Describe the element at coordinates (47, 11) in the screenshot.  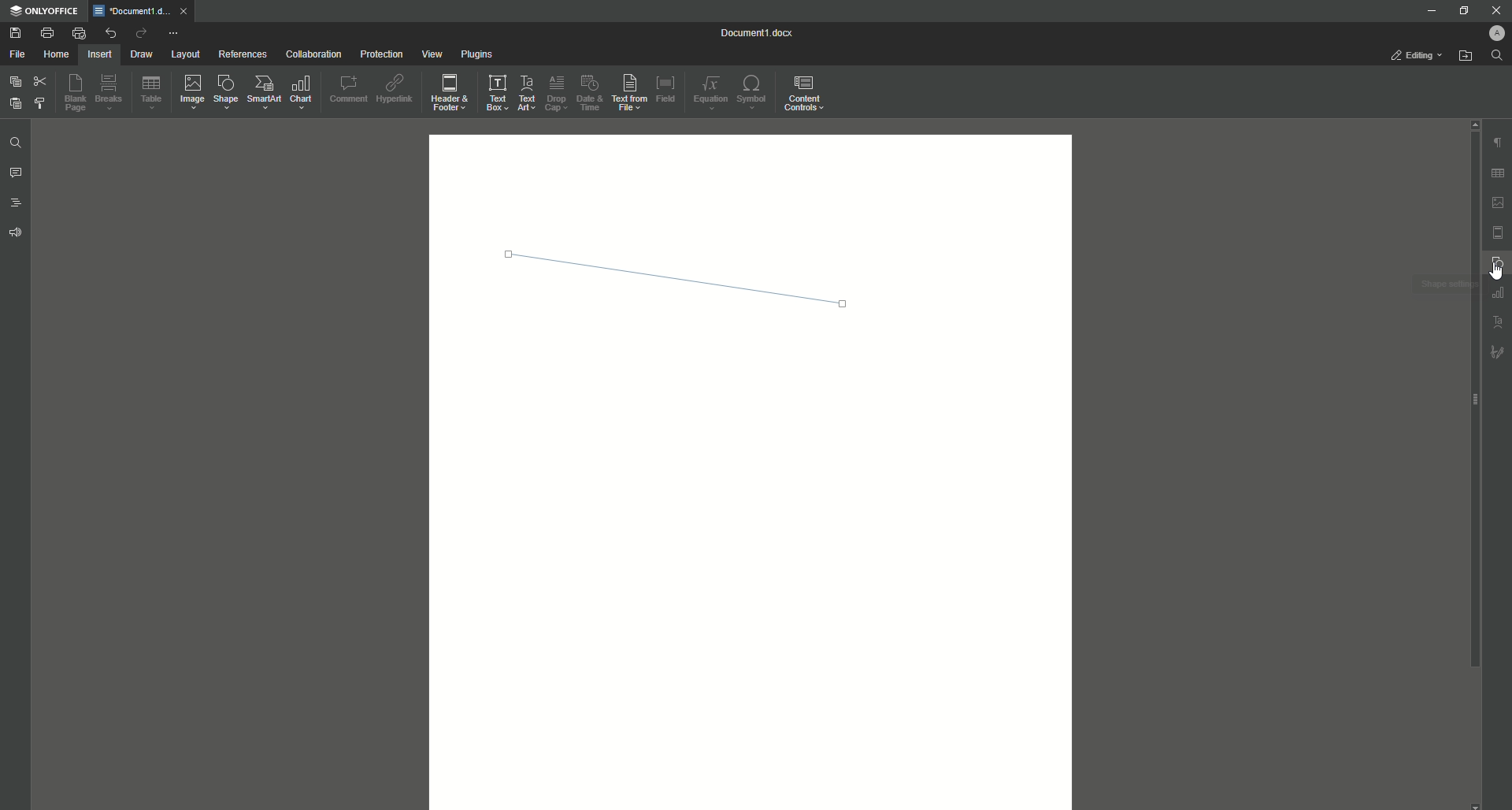
I see `ONLYOFFICE` at that location.